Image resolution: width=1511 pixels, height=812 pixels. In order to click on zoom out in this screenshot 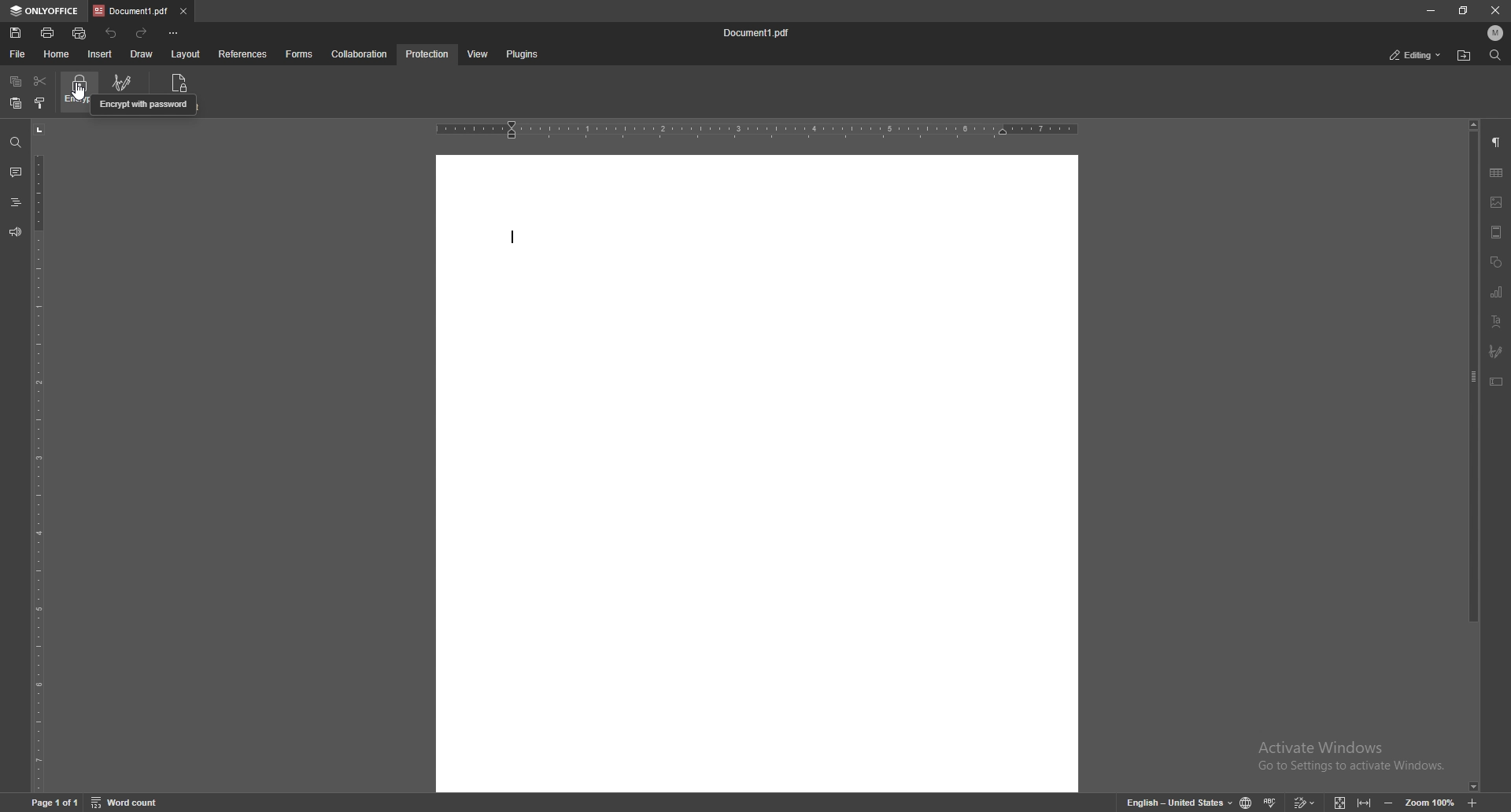, I will do `click(1391, 801)`.